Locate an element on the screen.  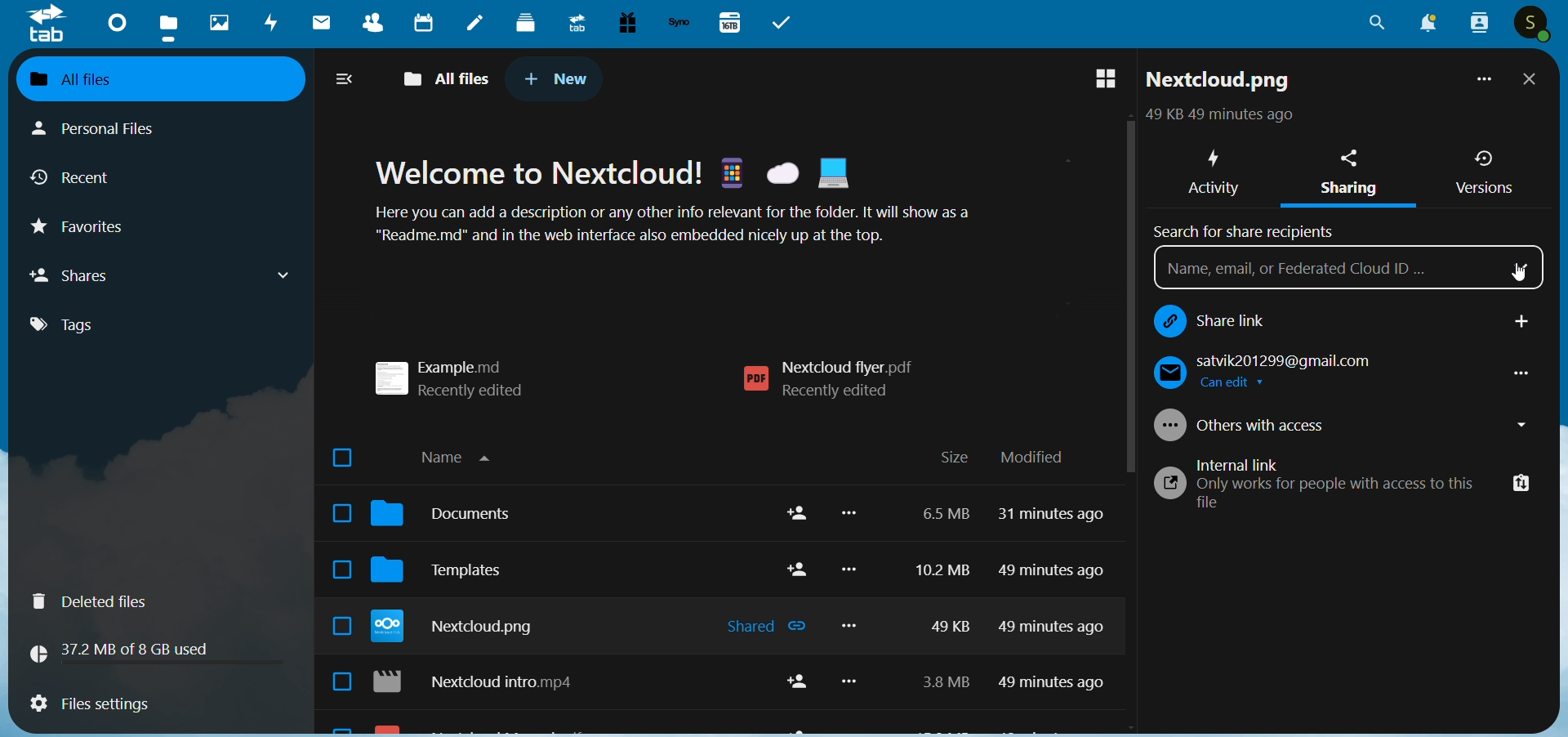
internal link is located at coordinates (1307, 482).